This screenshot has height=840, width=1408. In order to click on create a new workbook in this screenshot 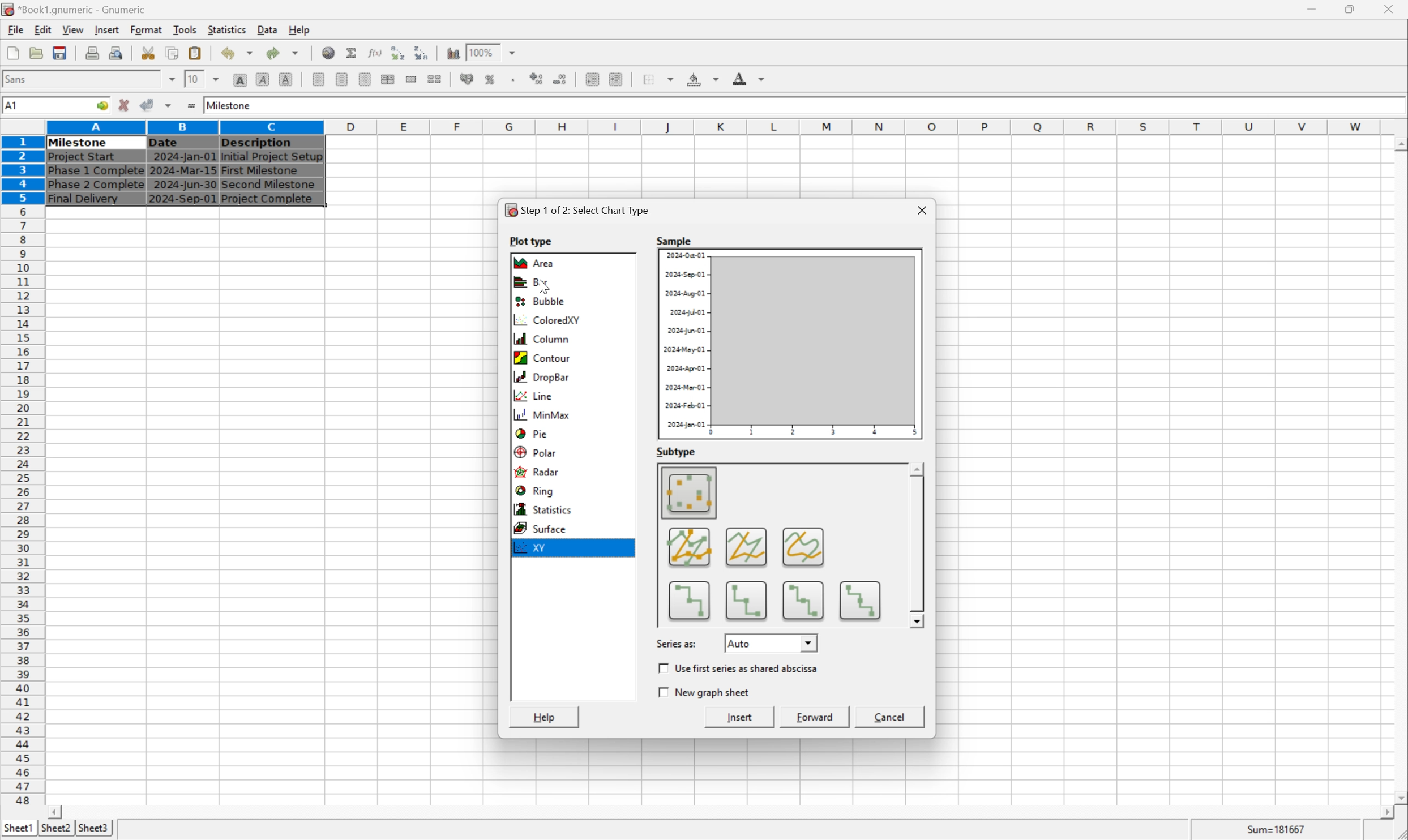, I will do `click(12, 54)`.